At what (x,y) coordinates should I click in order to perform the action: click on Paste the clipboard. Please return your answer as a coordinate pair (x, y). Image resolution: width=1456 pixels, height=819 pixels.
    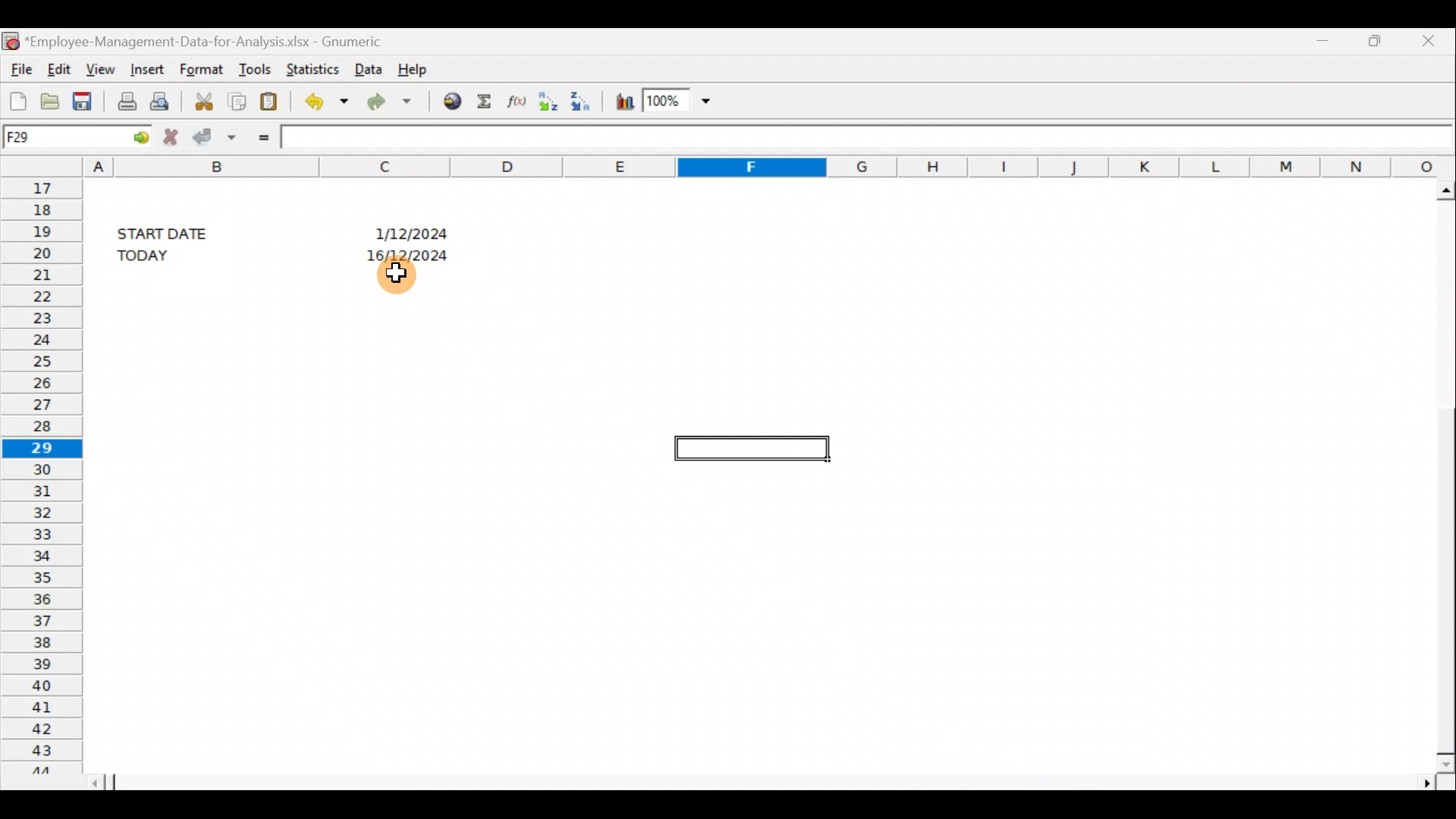
    Looking at the image, I should click on (272, 99).